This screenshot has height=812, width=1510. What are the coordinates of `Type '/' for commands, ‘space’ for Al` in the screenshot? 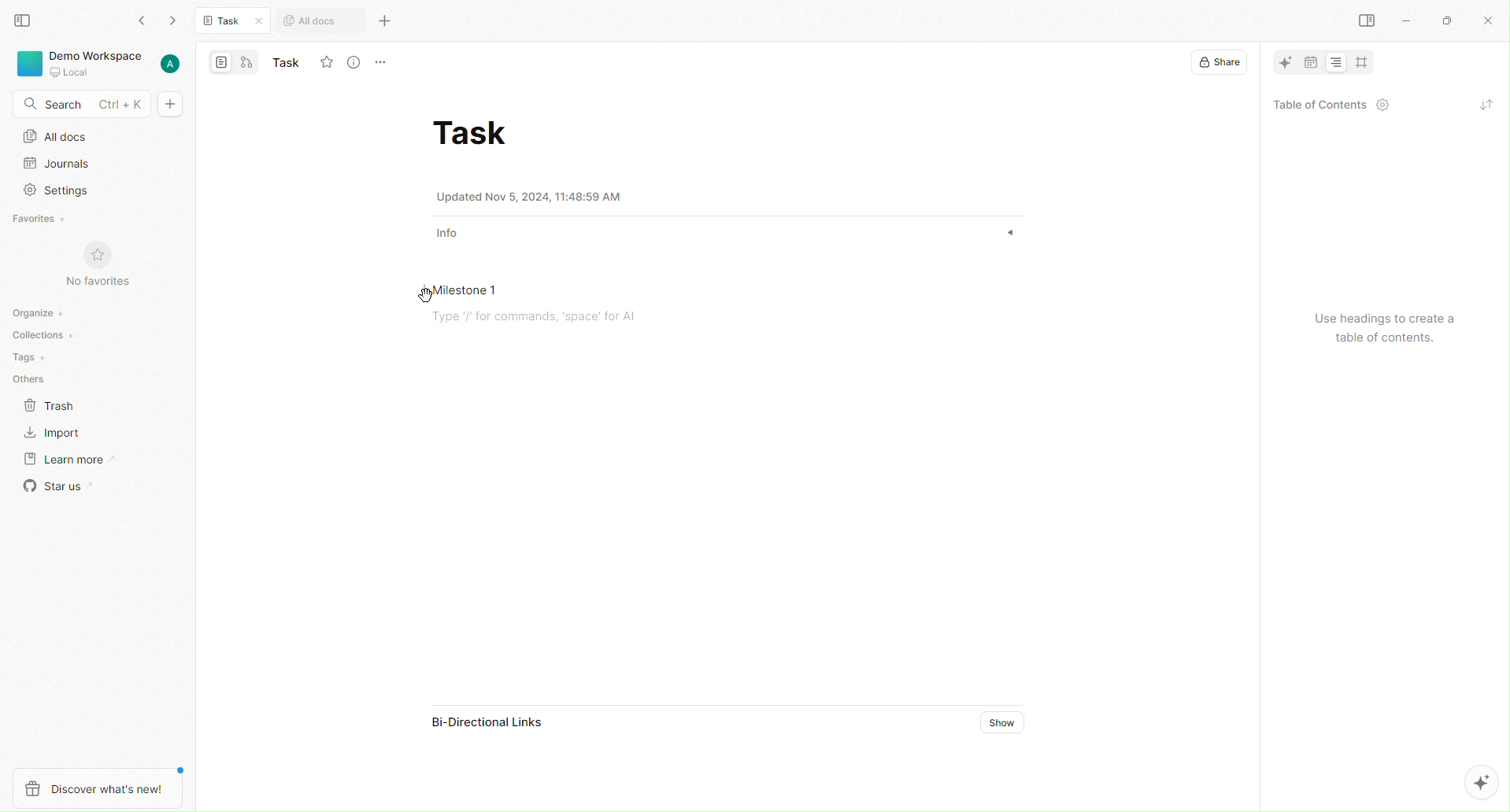 It's located at (648, 317).